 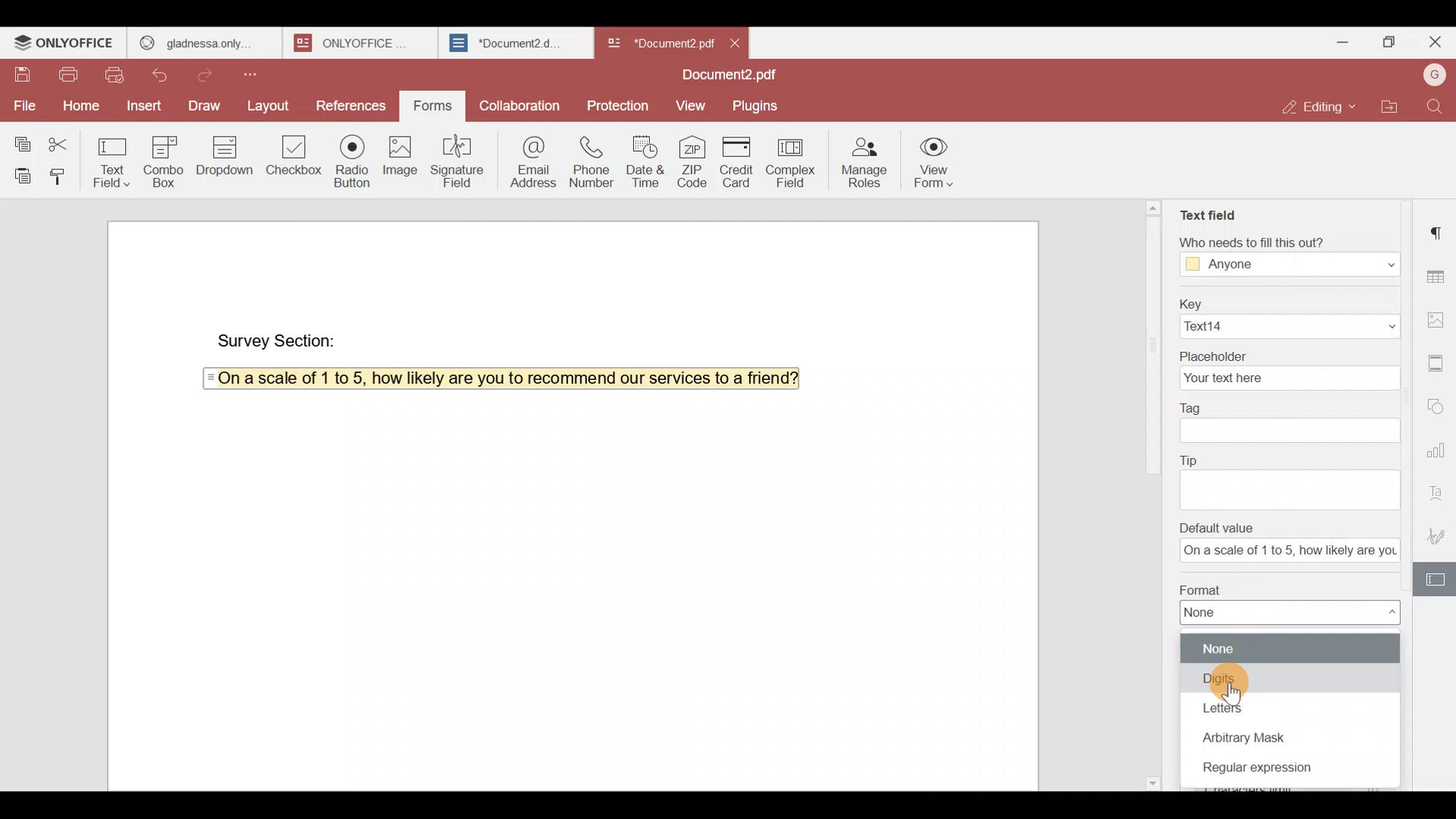 What do you see at coordinates (619, 104) in the screenshot?
I see `Protection` at bounding box center [619, 104].